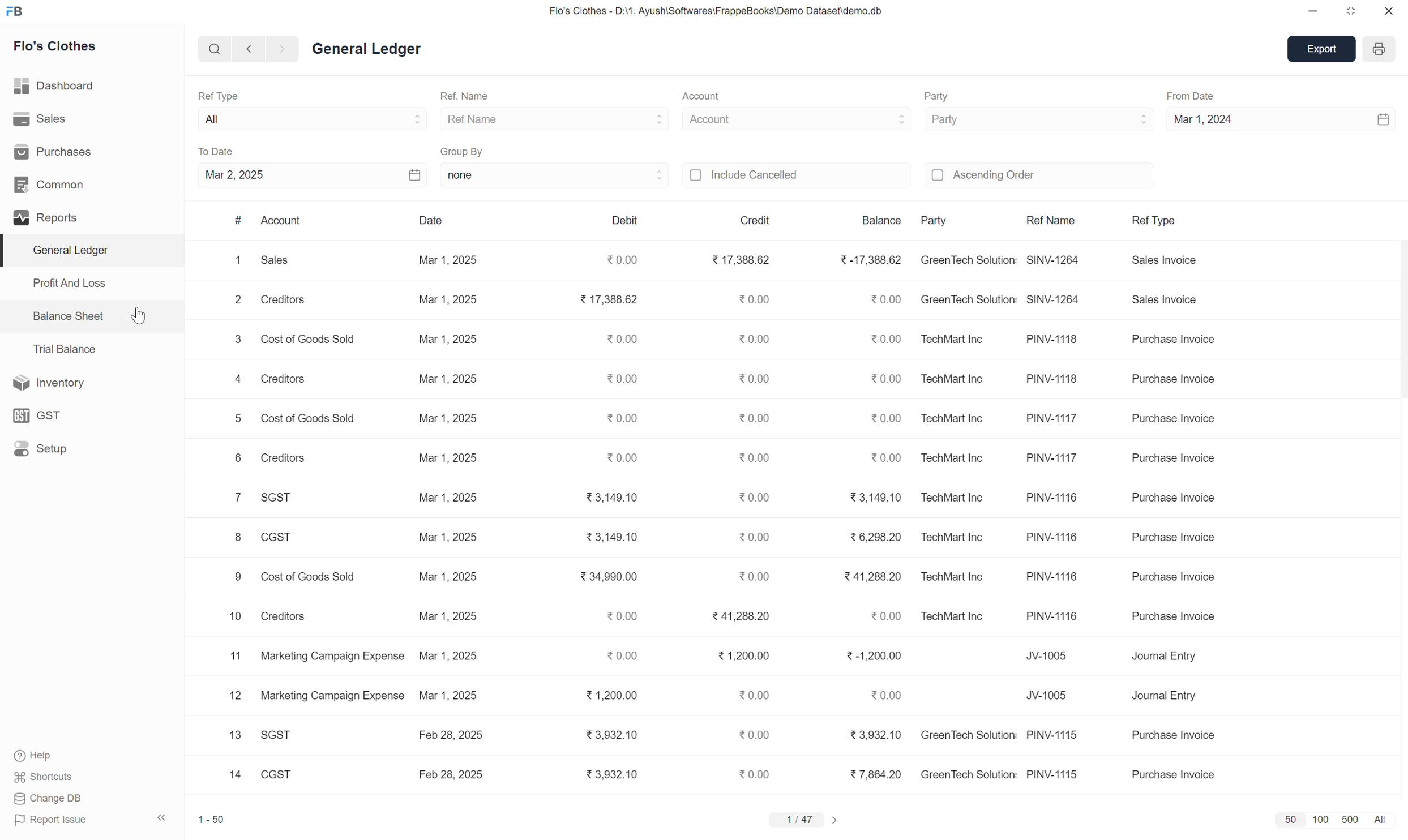 The width and height of the screenshot is (1408, 840). Describe the element at coordinates (748, 695) in the screenshot. I see `0.00` at that location.